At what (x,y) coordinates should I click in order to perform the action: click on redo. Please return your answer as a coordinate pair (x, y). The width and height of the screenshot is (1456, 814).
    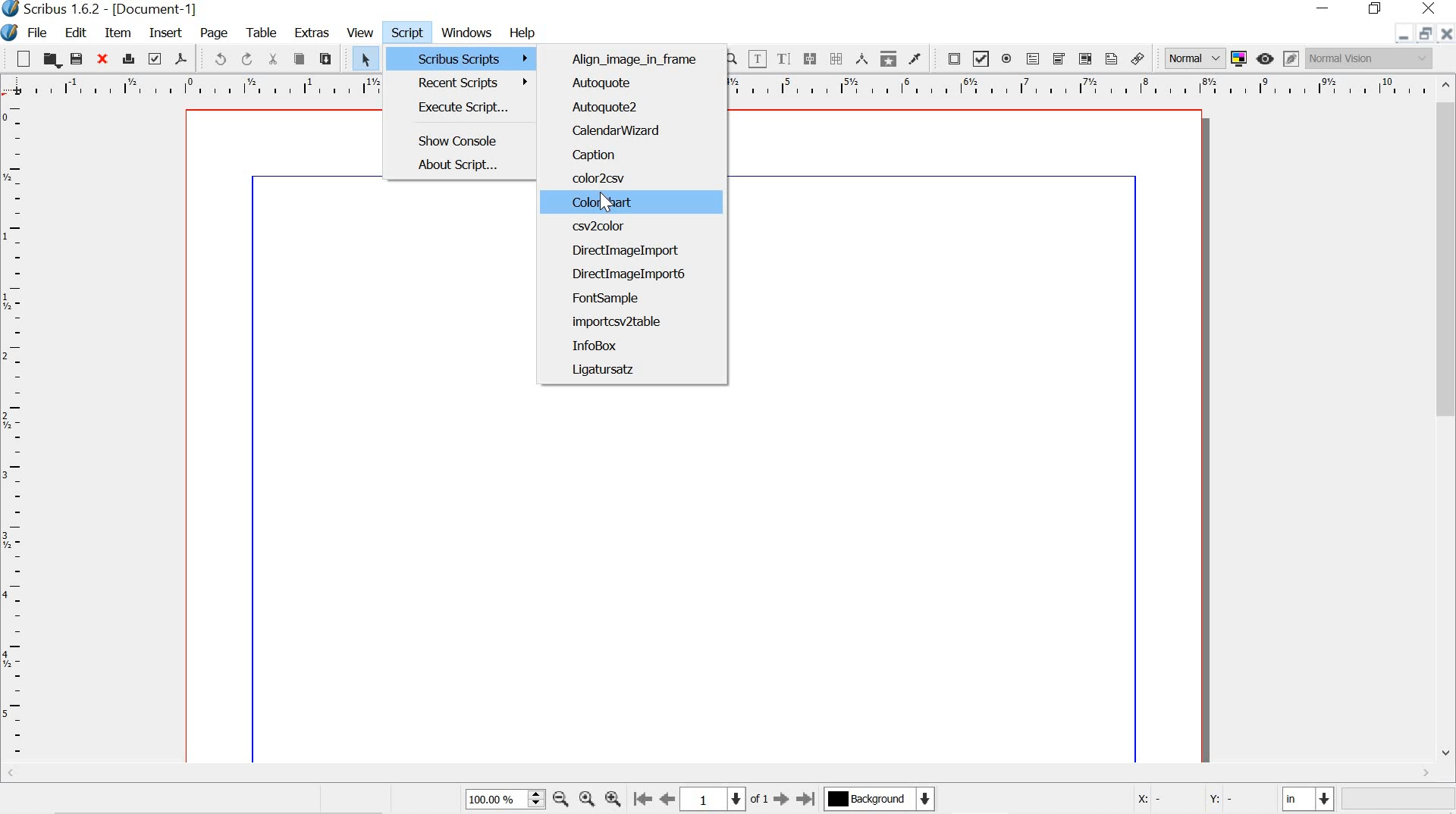
    Looking at the image, I should click on (248, 59).